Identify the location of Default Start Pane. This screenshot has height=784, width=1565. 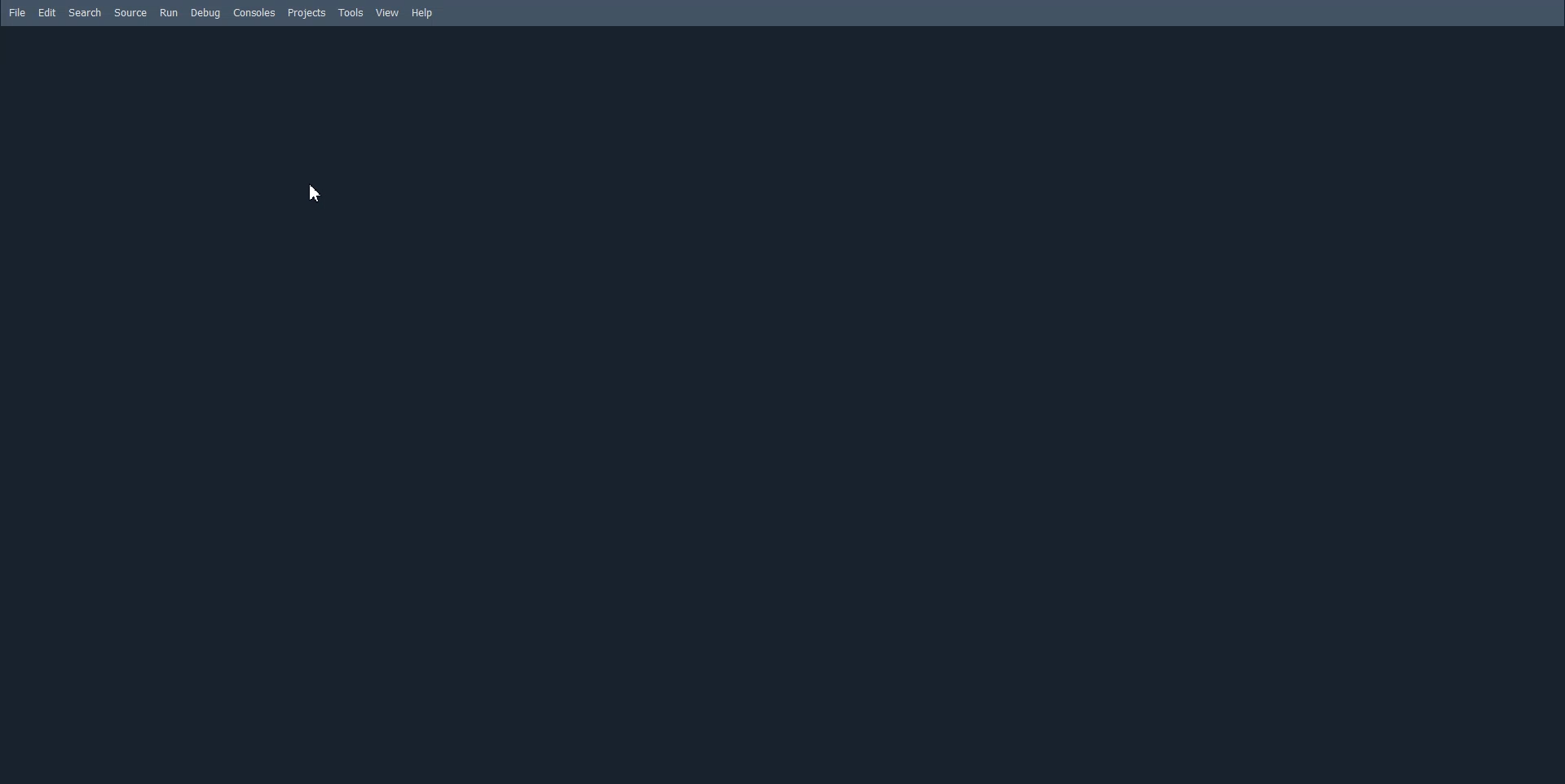
(781, 405).